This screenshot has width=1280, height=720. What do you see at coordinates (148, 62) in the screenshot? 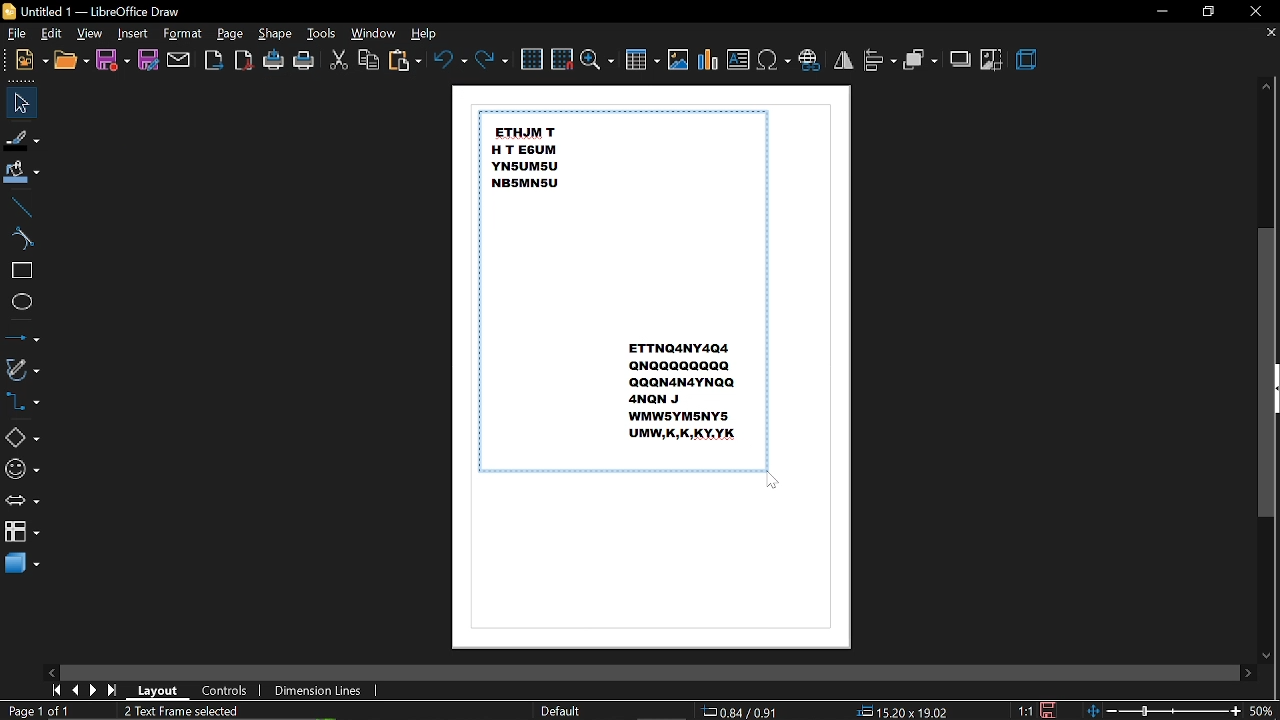
I see `save as` at bounding box center [148, 62].